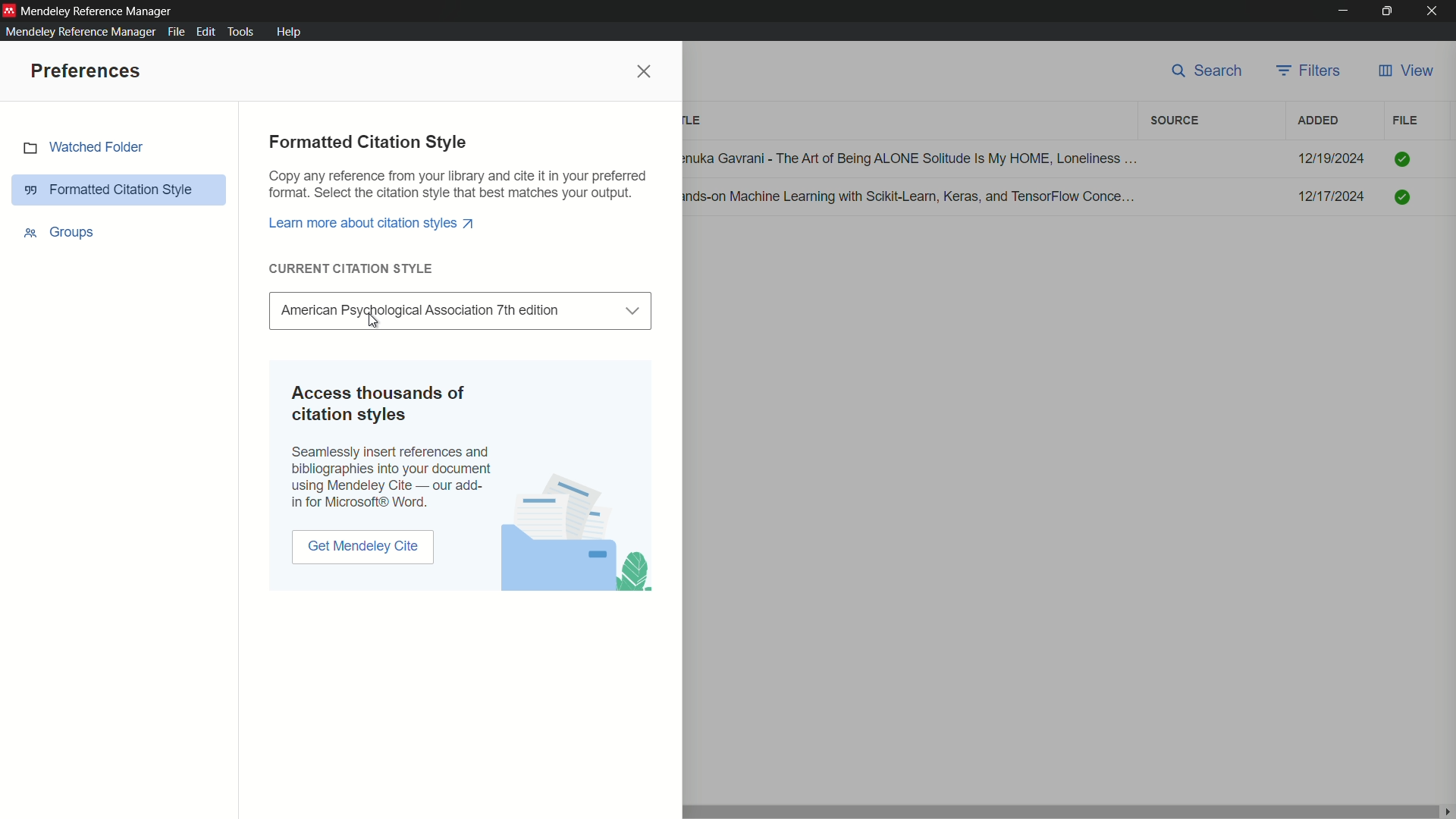 This screenshot has height=819, width=1456. I want to click on current citation style, so click(352, 268).